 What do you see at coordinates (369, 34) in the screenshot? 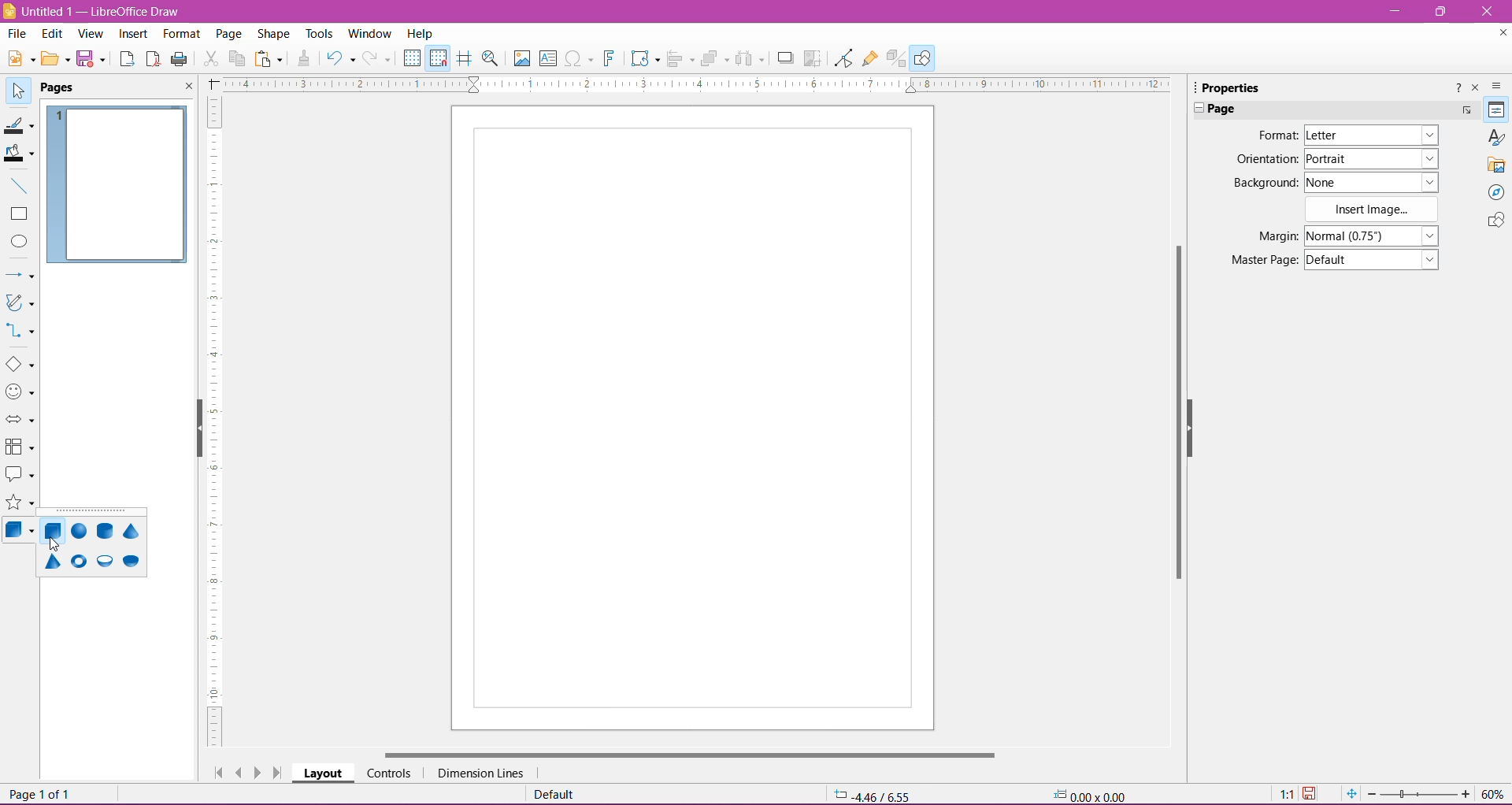
I see `Window` at bounding box center [369, 34].